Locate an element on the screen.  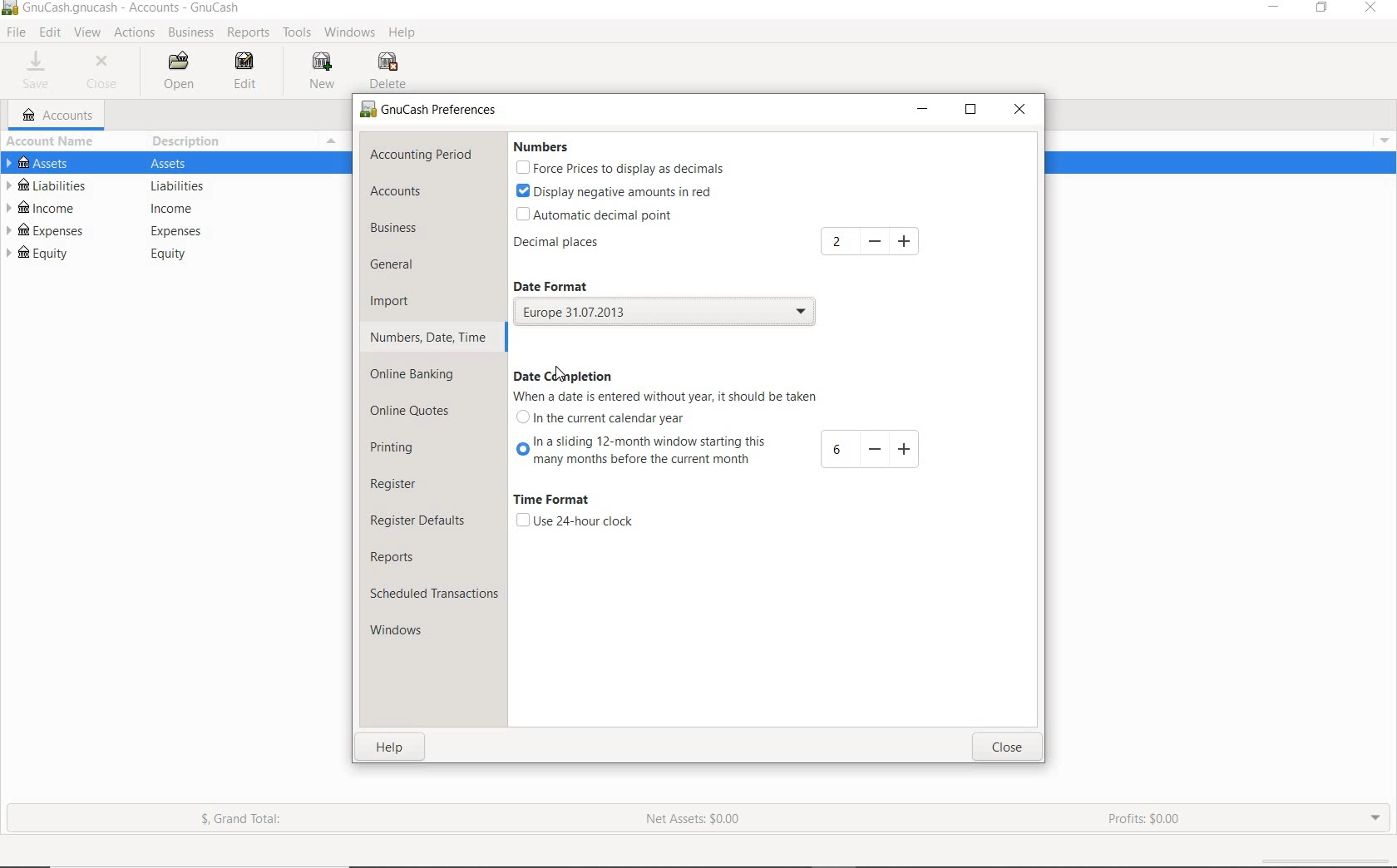
BUSIINESS is located at coordinates (190, 33).